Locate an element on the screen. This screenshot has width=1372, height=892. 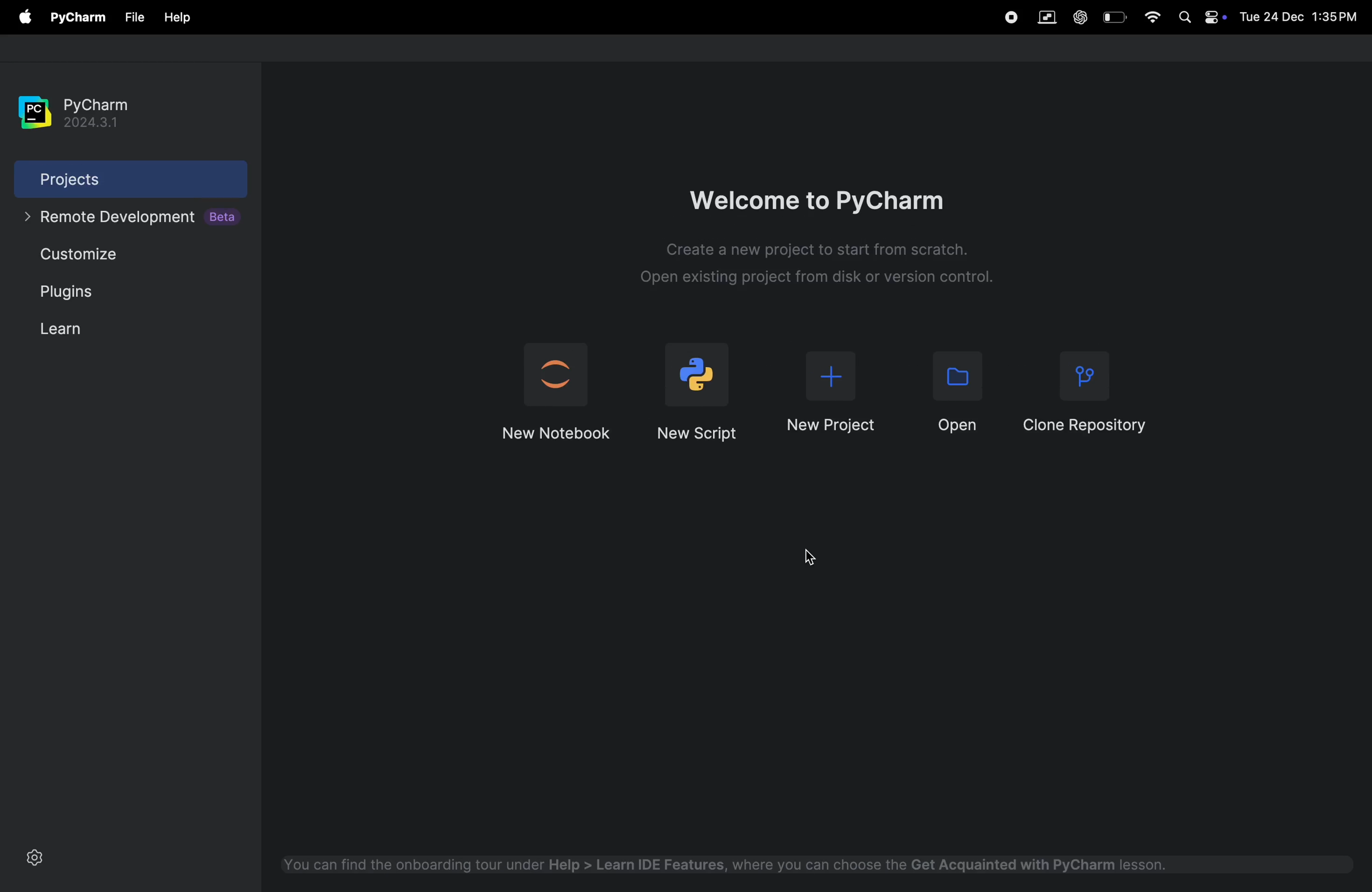
pycharm is located at coordinates (71, 114).